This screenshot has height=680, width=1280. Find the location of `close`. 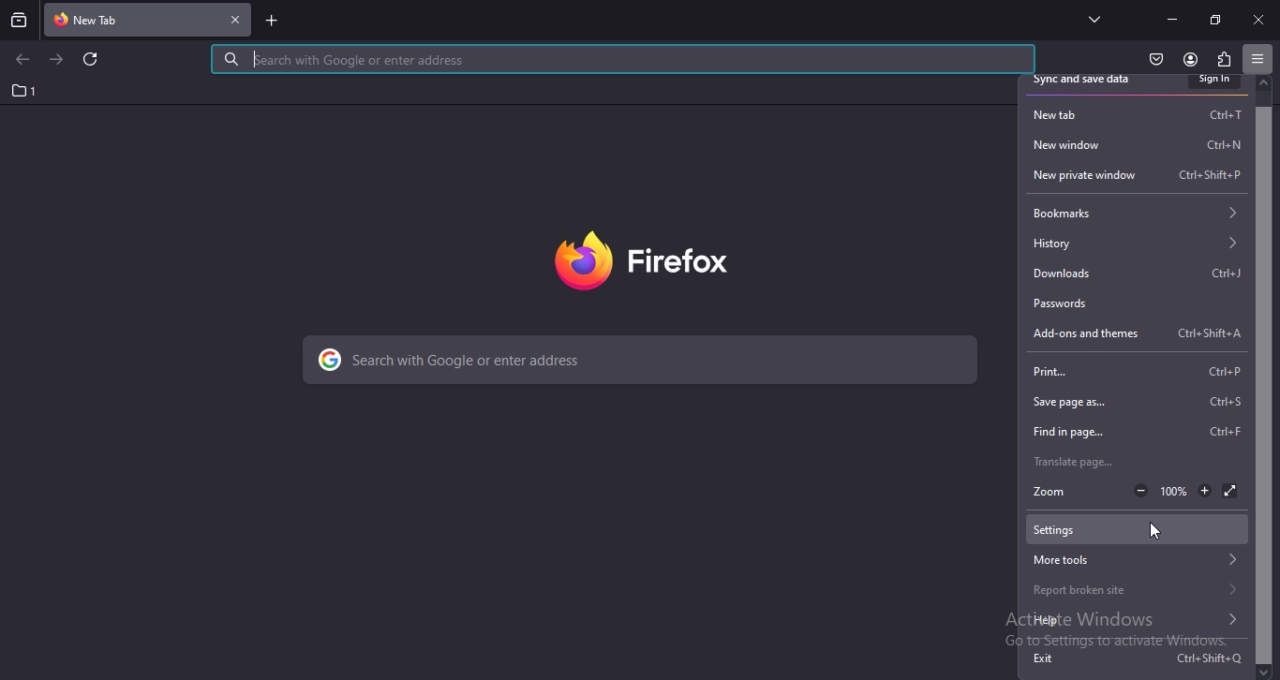

close is located at coordinates (1258, 22).